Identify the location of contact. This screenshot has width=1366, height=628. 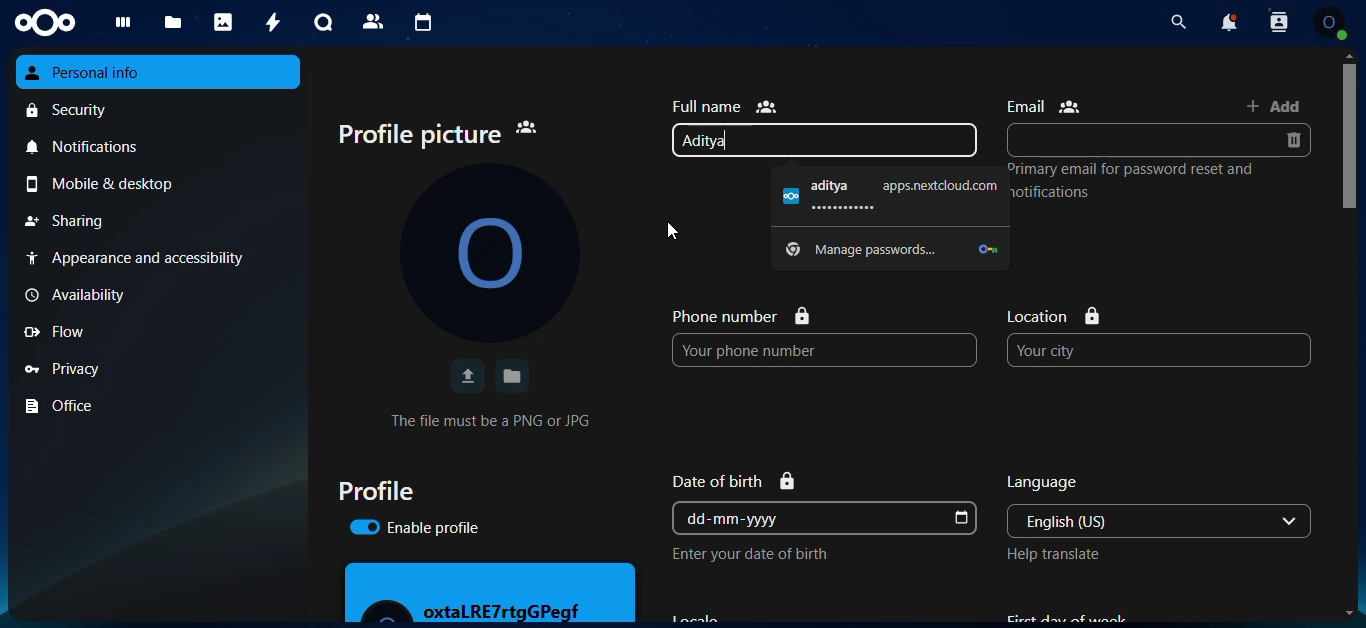
(373, 22).